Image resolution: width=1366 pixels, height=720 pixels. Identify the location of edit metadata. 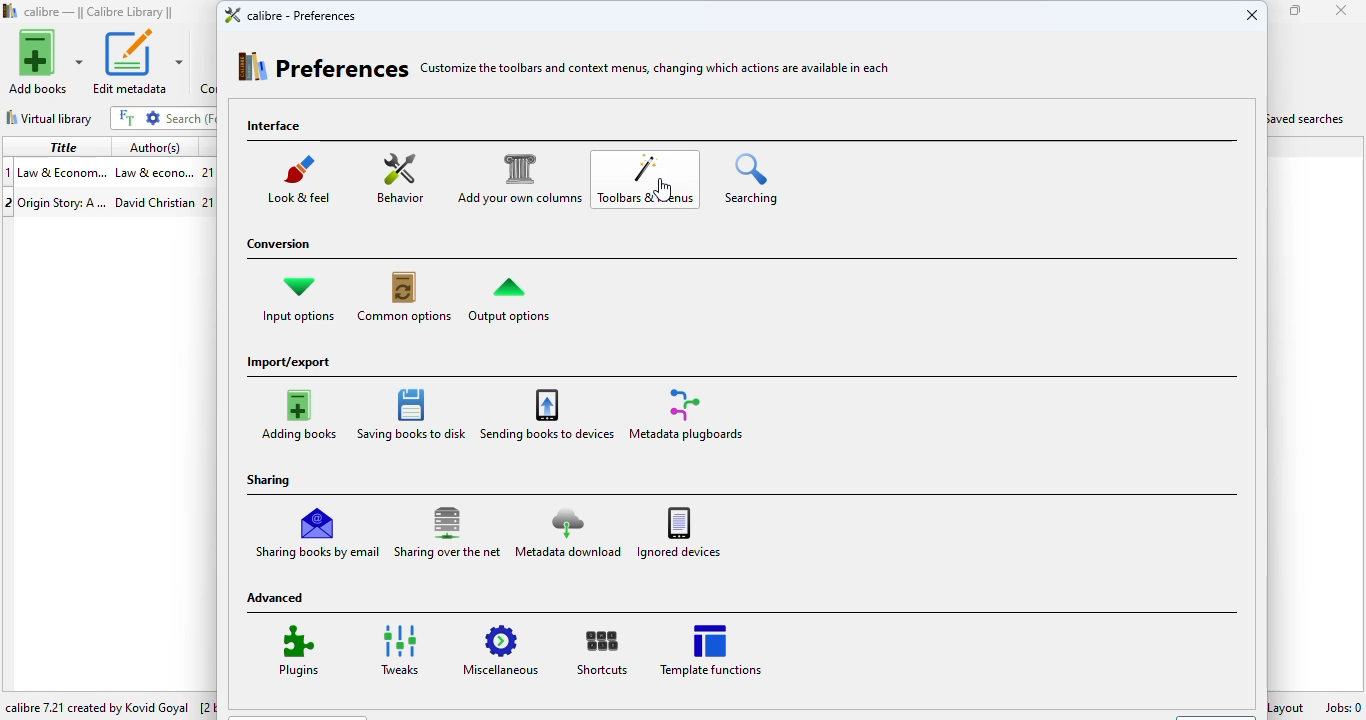
(137, 62).